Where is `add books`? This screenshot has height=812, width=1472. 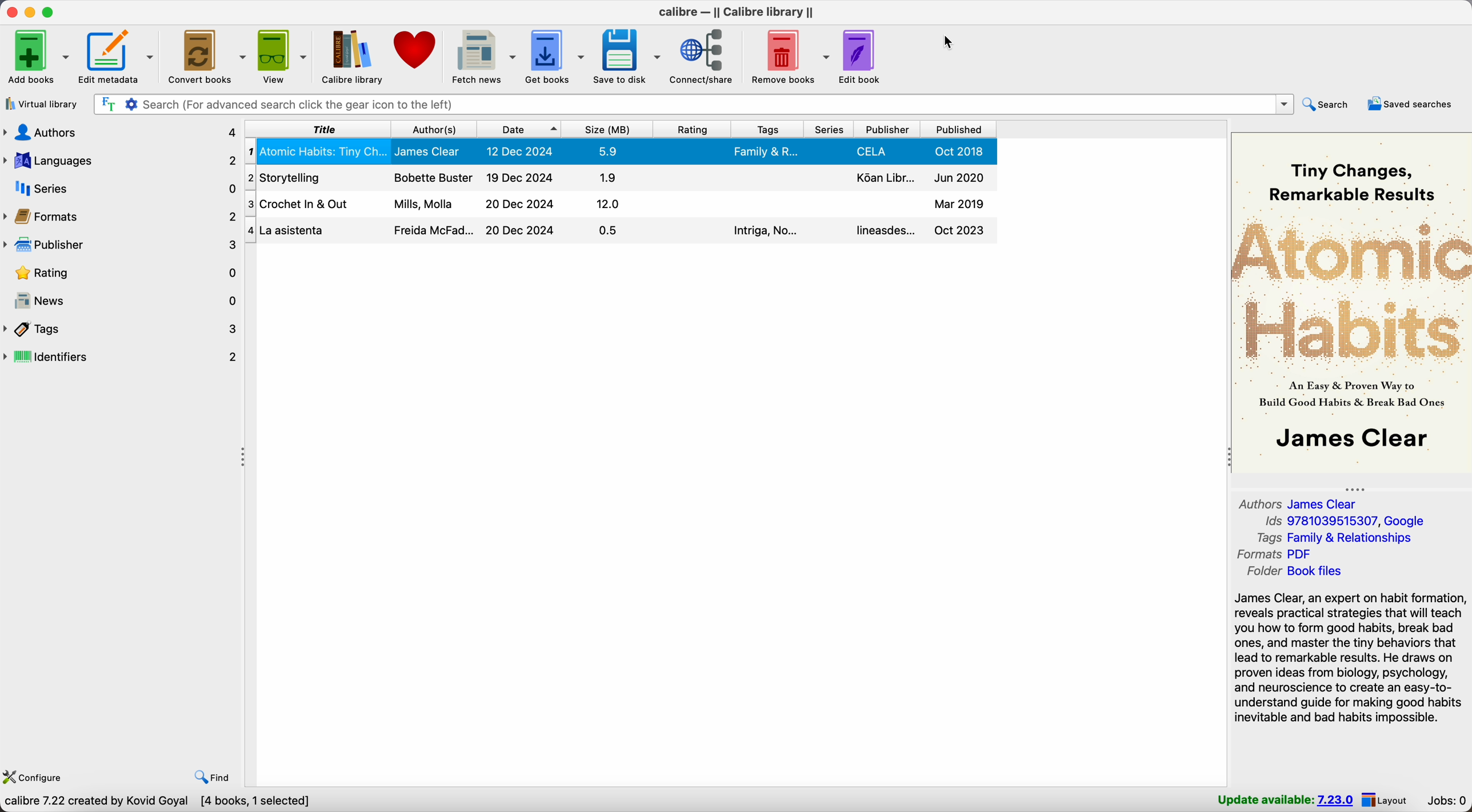 add books is located at coordinates (37, 59).